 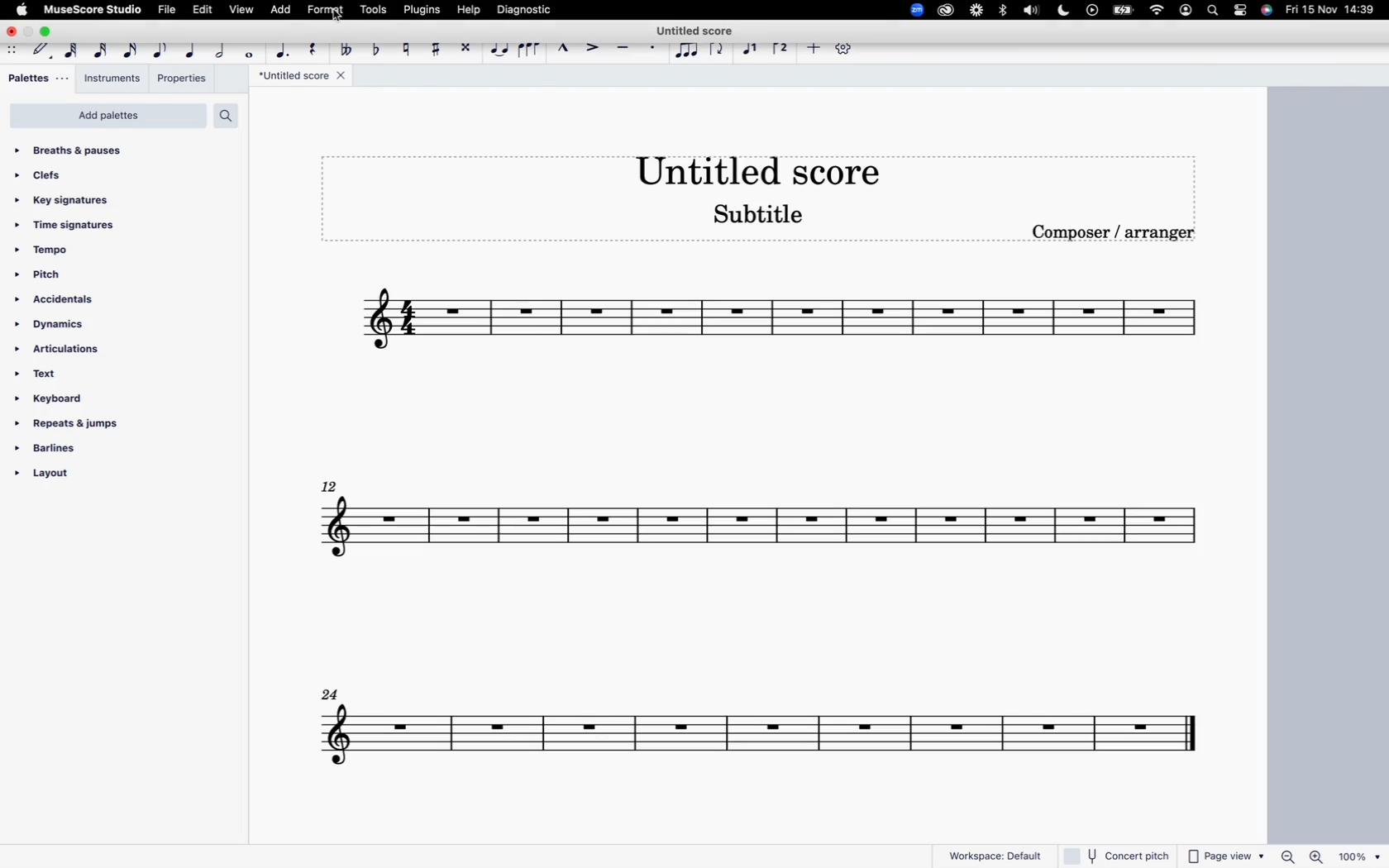 I want to click on toggle double sharp, so click(x=467, y=48).